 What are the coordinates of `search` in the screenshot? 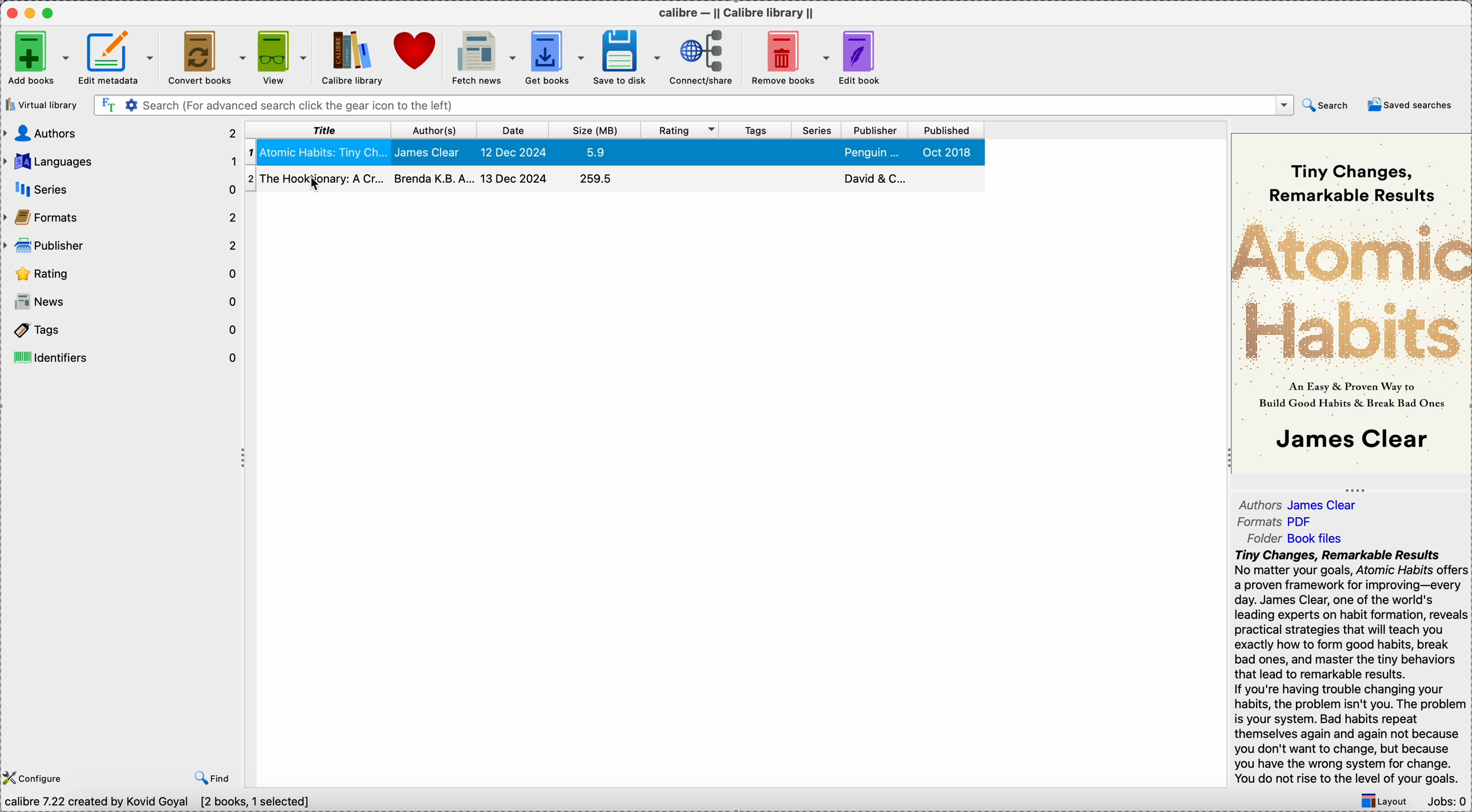 It's located at (1326, 106).